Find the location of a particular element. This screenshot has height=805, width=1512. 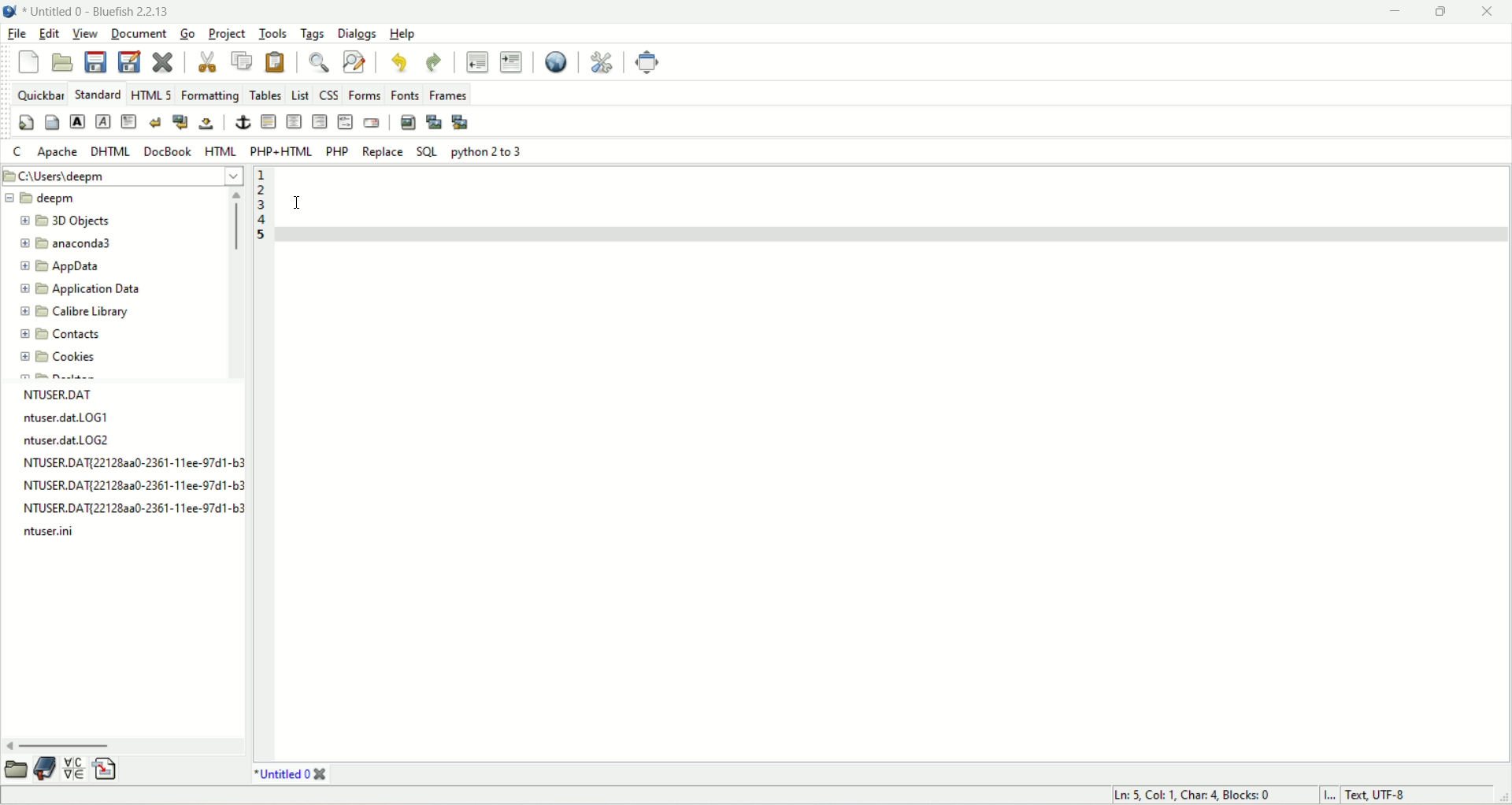

insert file is located at coordinates (113, 768).